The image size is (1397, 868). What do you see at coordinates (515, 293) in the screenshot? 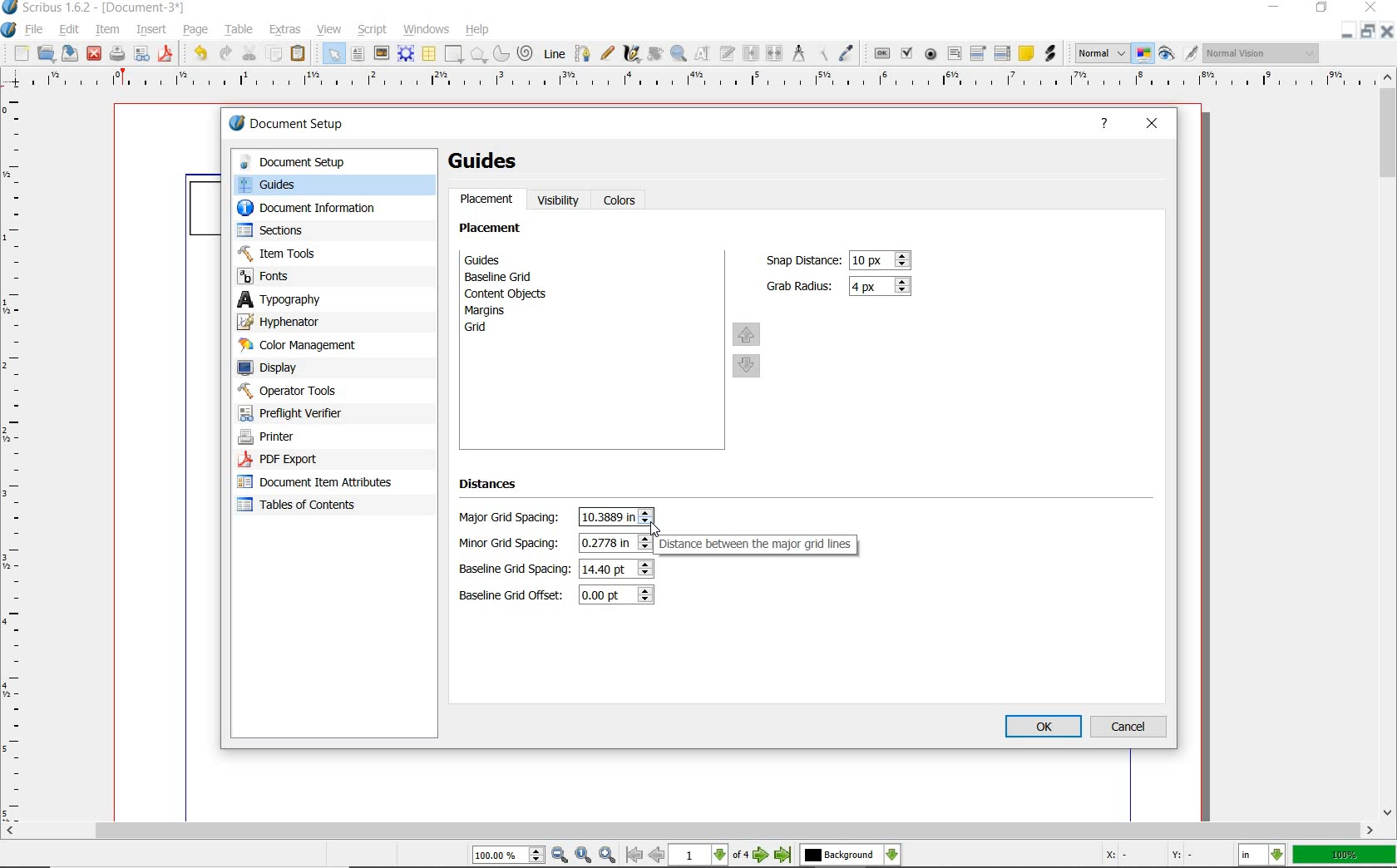
I see `content objects` at bounding box center [515, 293].